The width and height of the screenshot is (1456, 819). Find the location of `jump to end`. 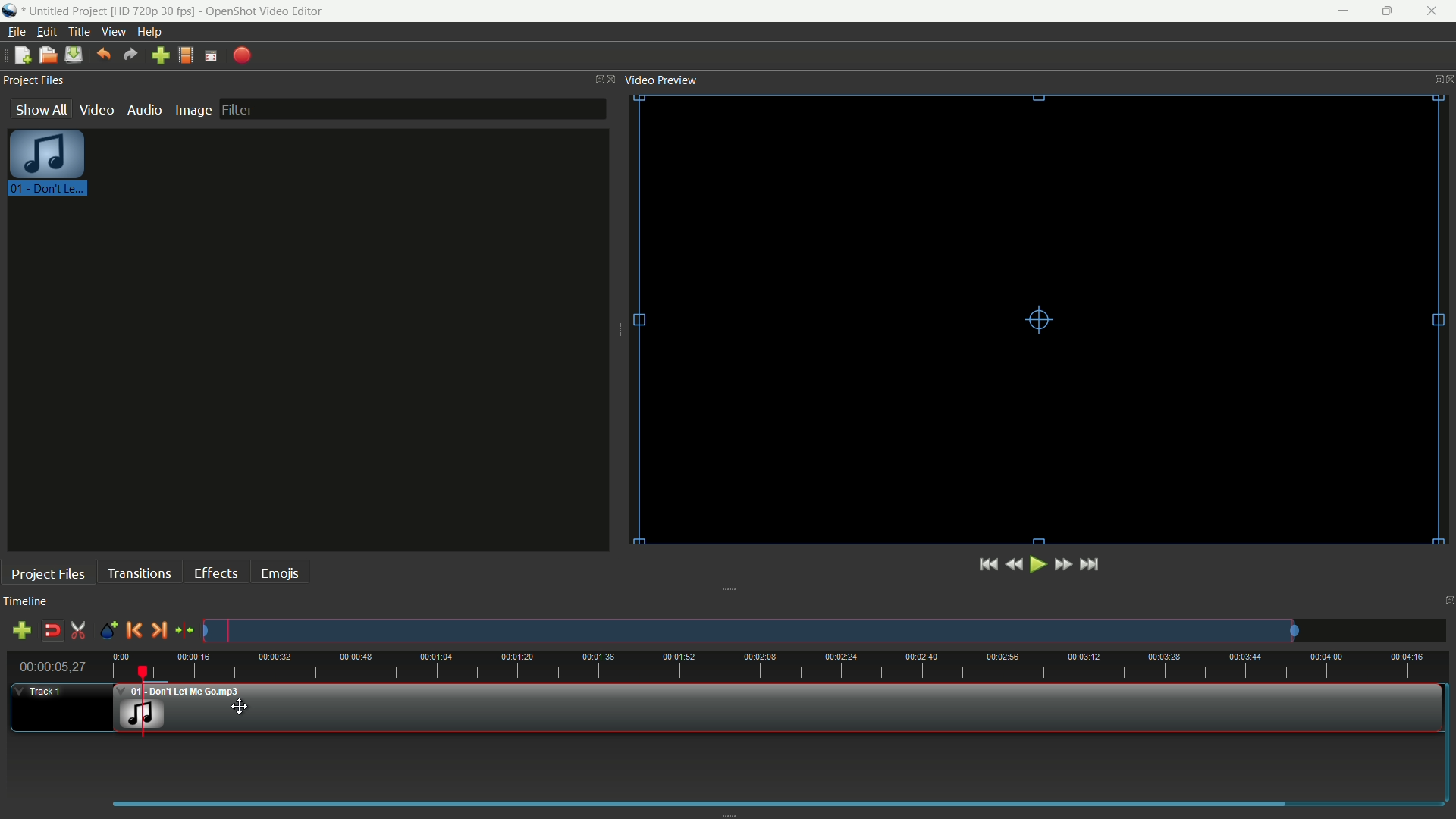

jump to end is located at coordinates (1091, 564).